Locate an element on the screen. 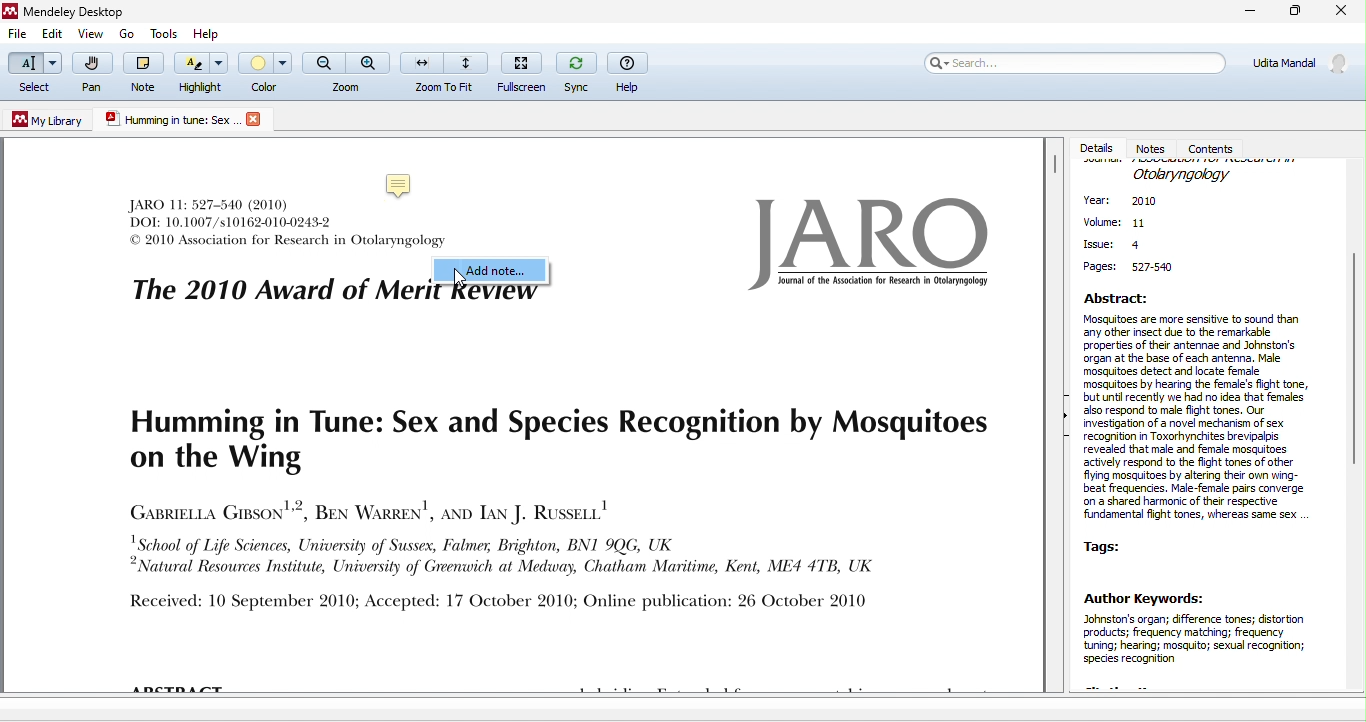  journal name is located at coordinates (1182, 174).